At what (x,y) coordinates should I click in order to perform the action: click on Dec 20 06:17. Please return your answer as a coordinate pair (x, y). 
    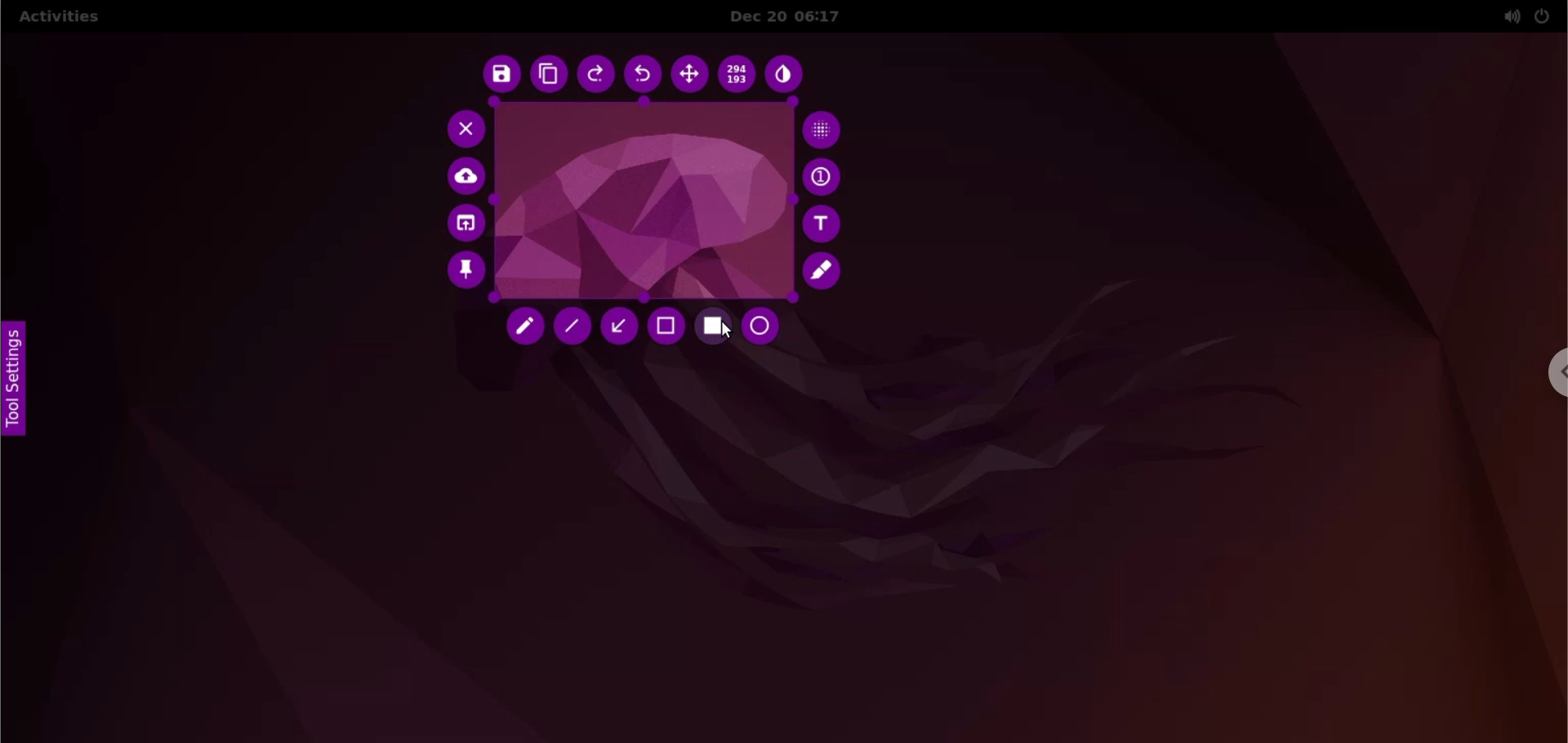
    Looking at the image, I should click on (797, 16).